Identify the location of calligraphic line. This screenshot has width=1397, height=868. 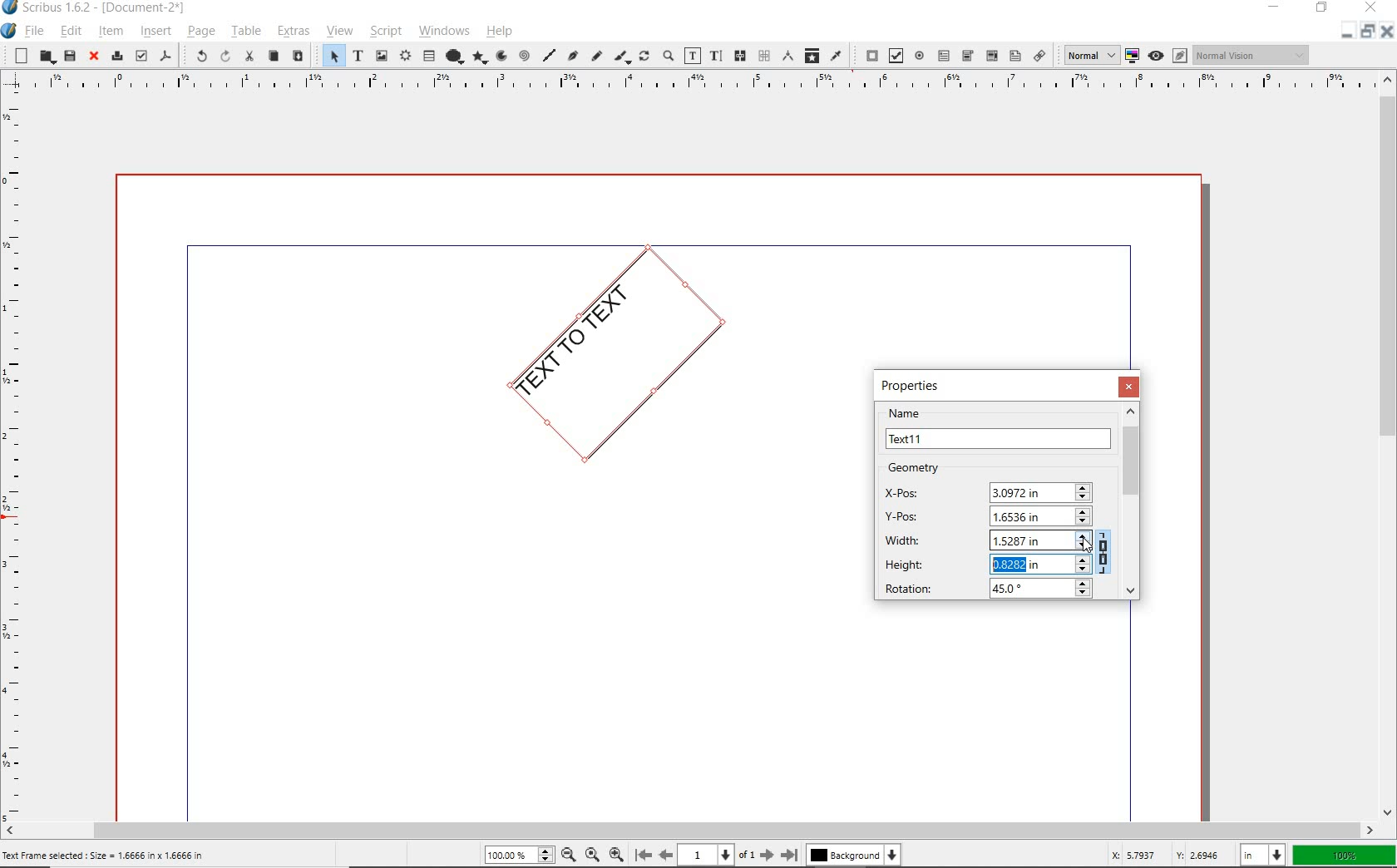
(623, 56).